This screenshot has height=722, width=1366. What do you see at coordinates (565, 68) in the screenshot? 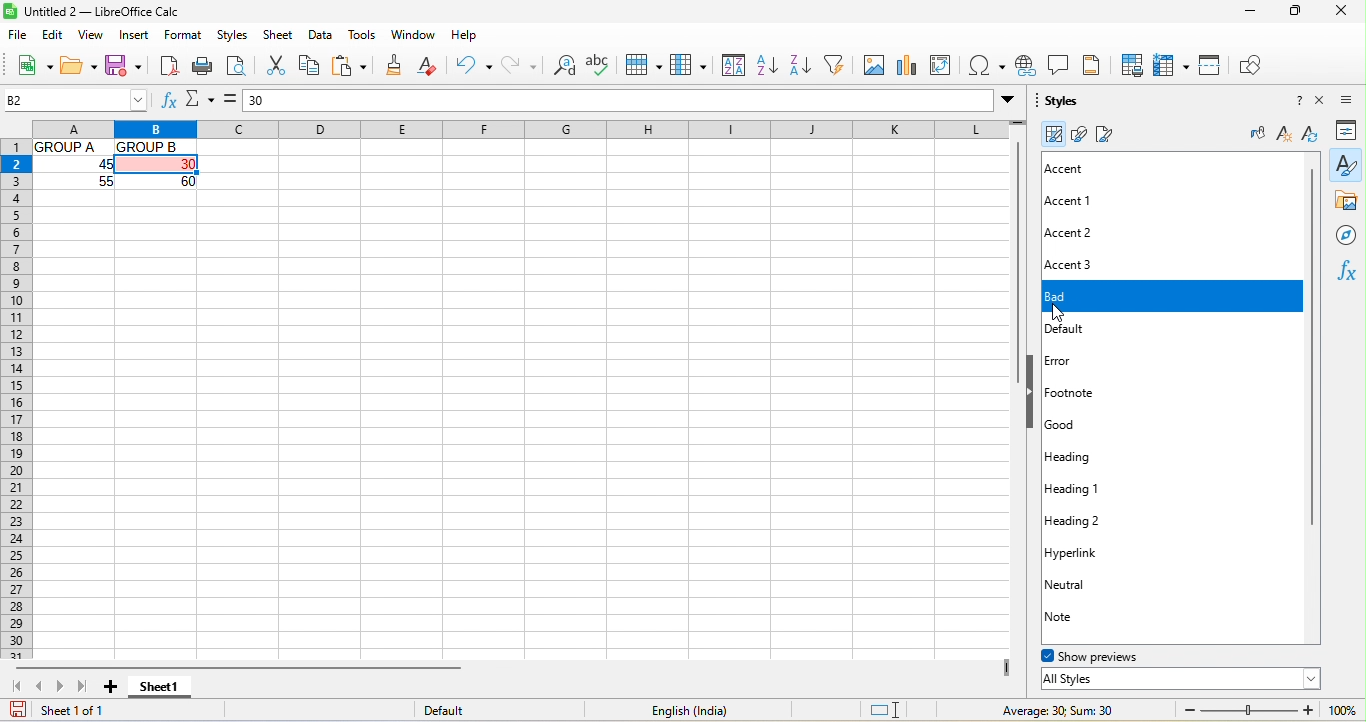
I see `find and replace` at bounding box center [565, 68].